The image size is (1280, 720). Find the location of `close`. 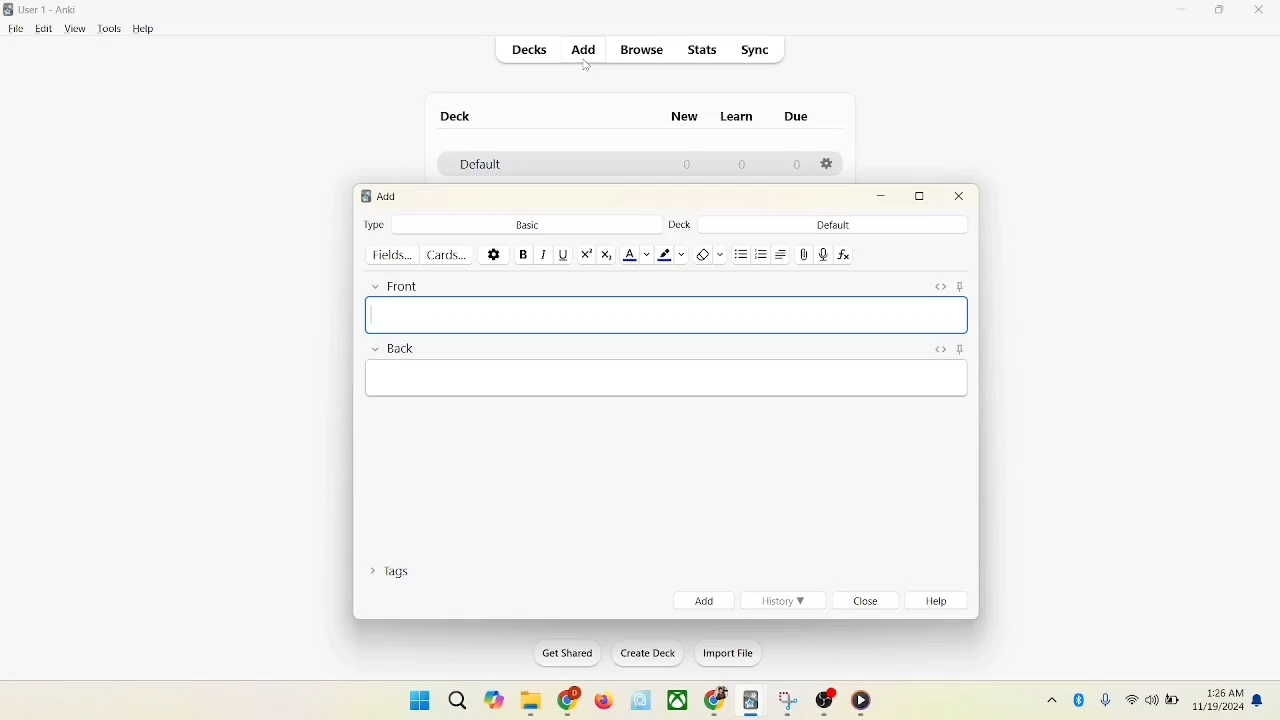

close is located at coordinates (1260, 11).